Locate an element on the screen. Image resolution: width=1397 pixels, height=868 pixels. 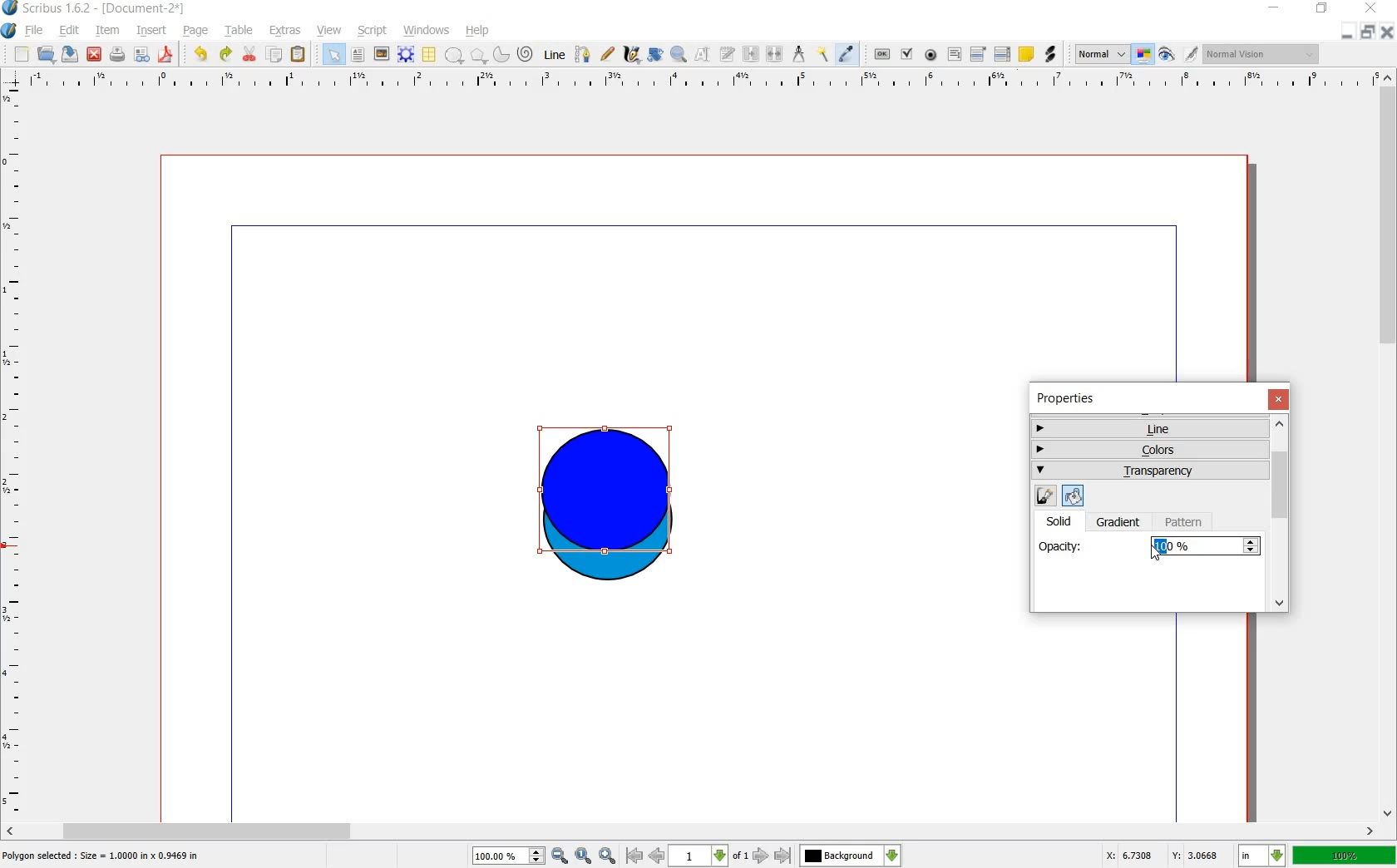
shape is located at coordinates (455, 56).